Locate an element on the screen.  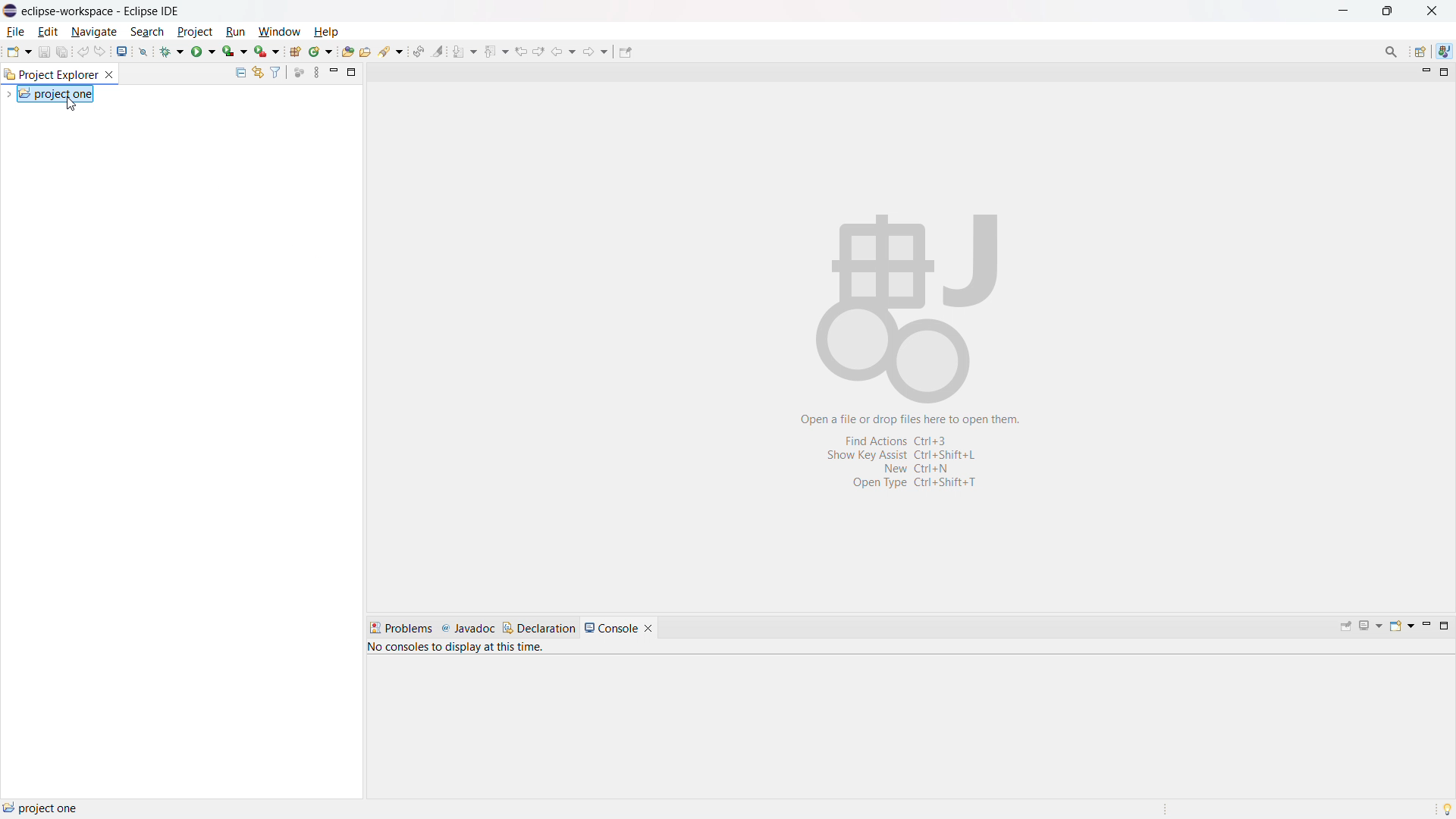
collapse all is located at coordinates (240, 72).